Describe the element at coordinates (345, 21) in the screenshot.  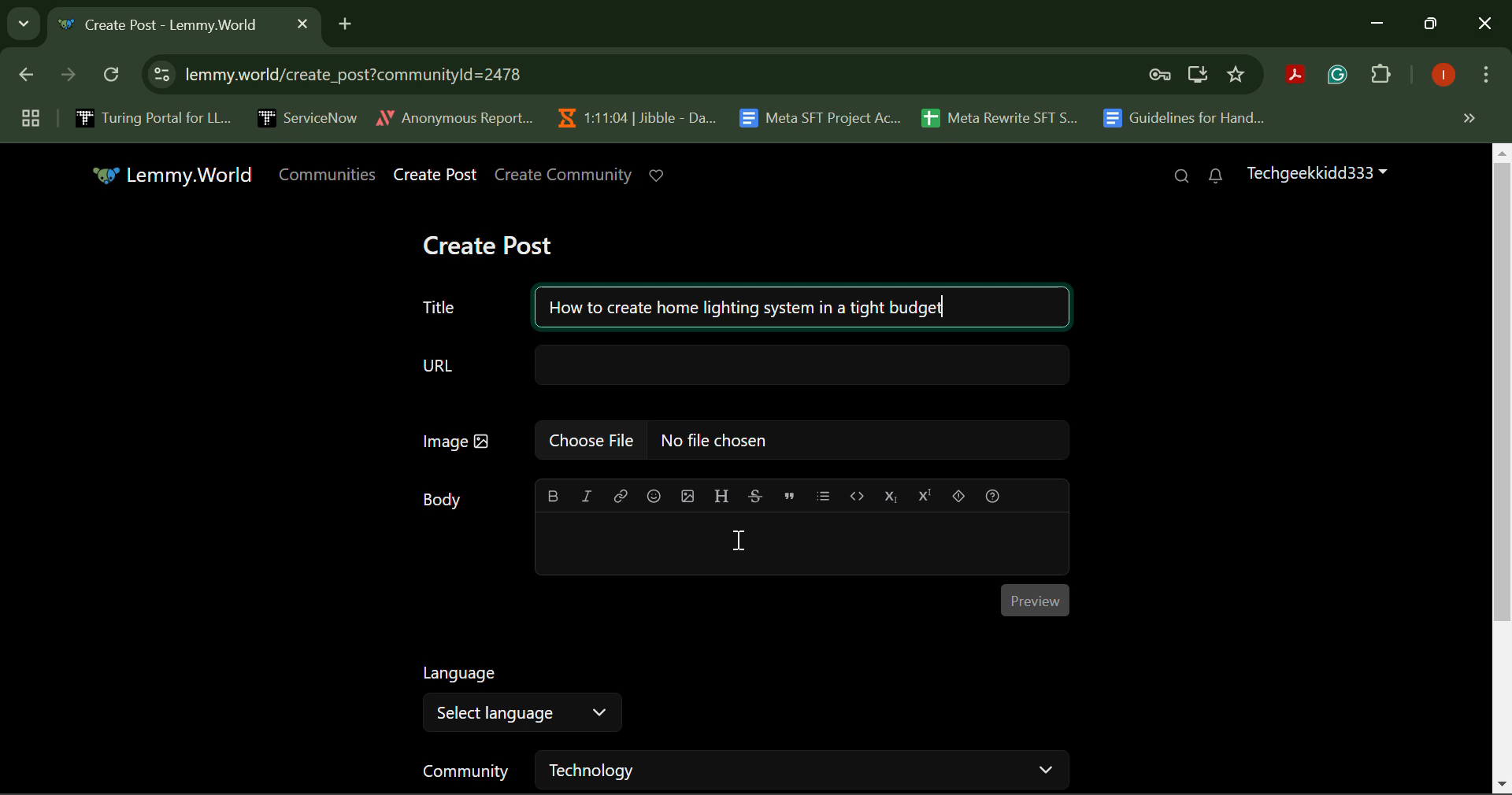
I see `Add Tab` at that location.